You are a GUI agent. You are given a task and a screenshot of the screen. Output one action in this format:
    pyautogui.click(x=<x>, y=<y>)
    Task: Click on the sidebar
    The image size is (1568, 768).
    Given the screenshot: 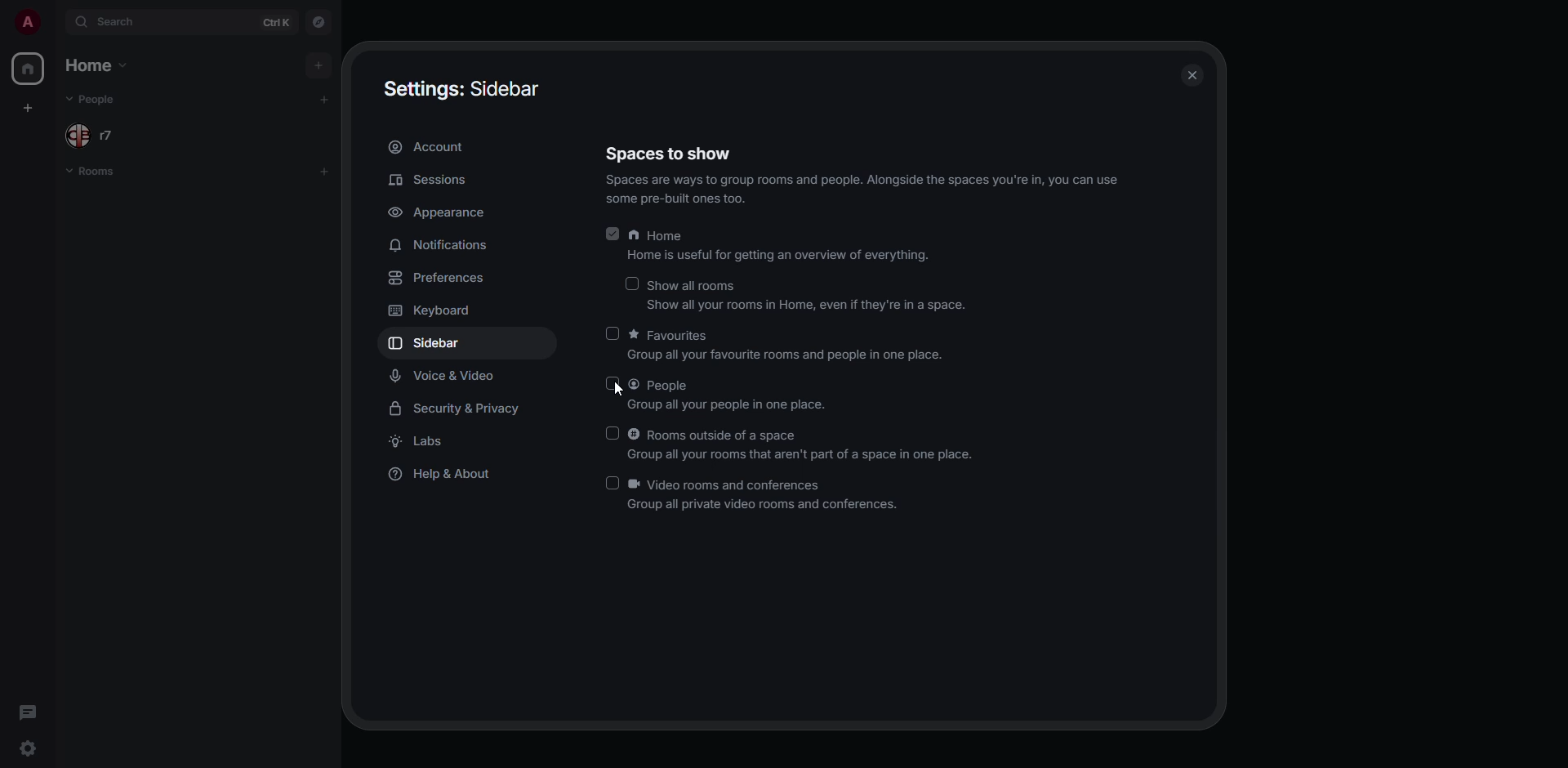 What is the action you would take?
    pyautogui.click(x=476, y=89)
    